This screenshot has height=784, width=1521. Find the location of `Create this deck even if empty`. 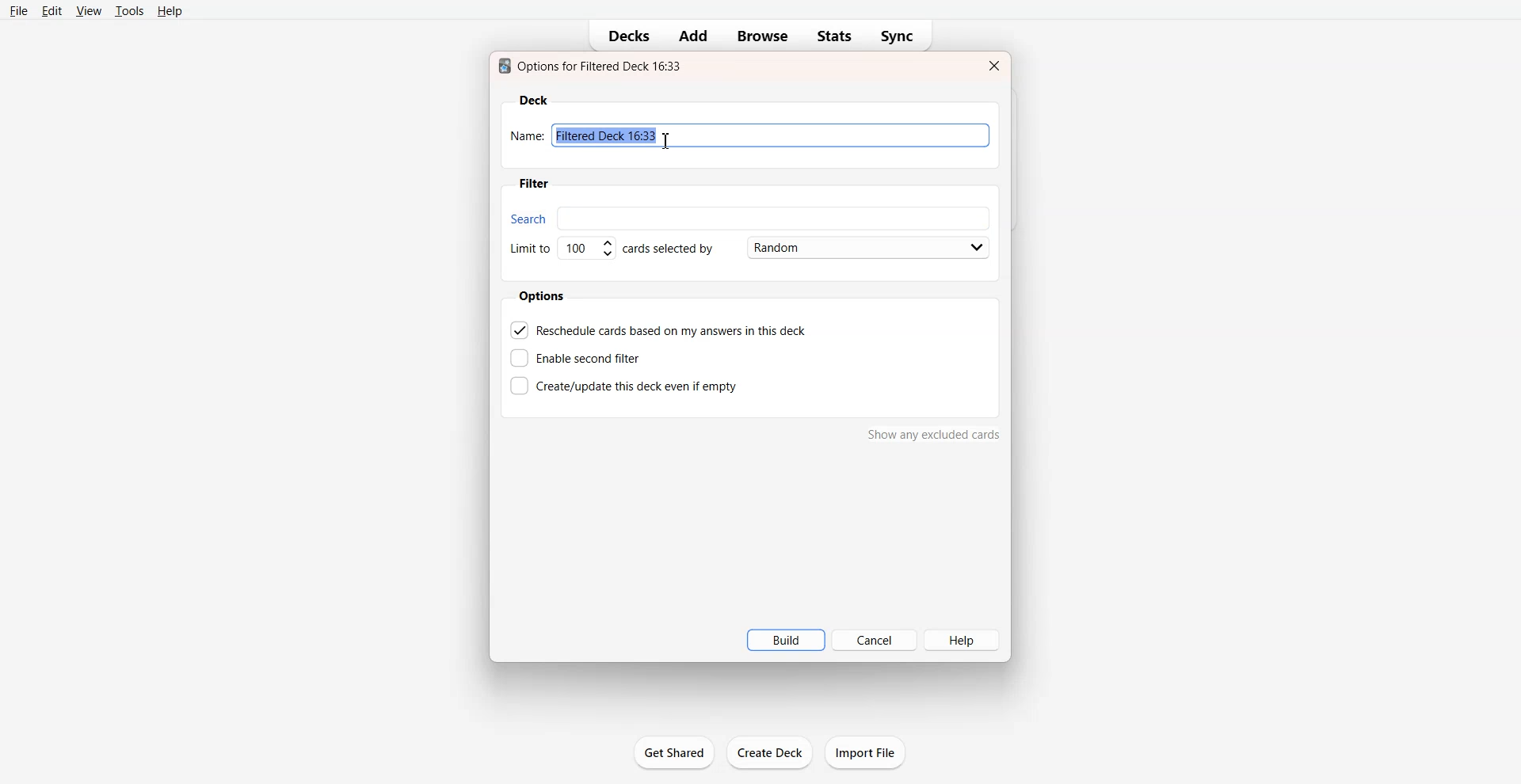

Create this deck even if empty is located at coordinates (623, 384).